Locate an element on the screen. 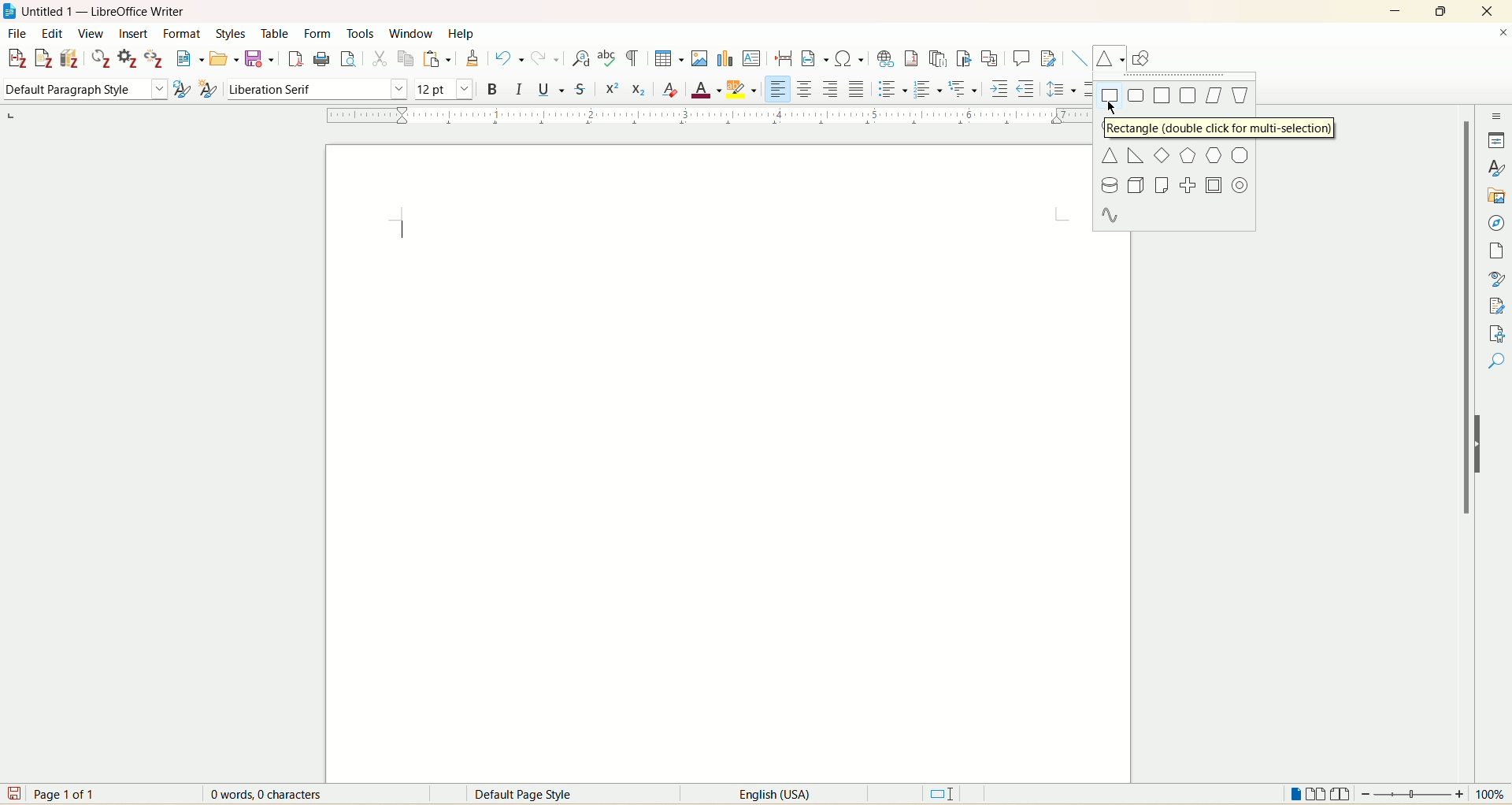  toggle ordered list is located at coordinates (927, 87).